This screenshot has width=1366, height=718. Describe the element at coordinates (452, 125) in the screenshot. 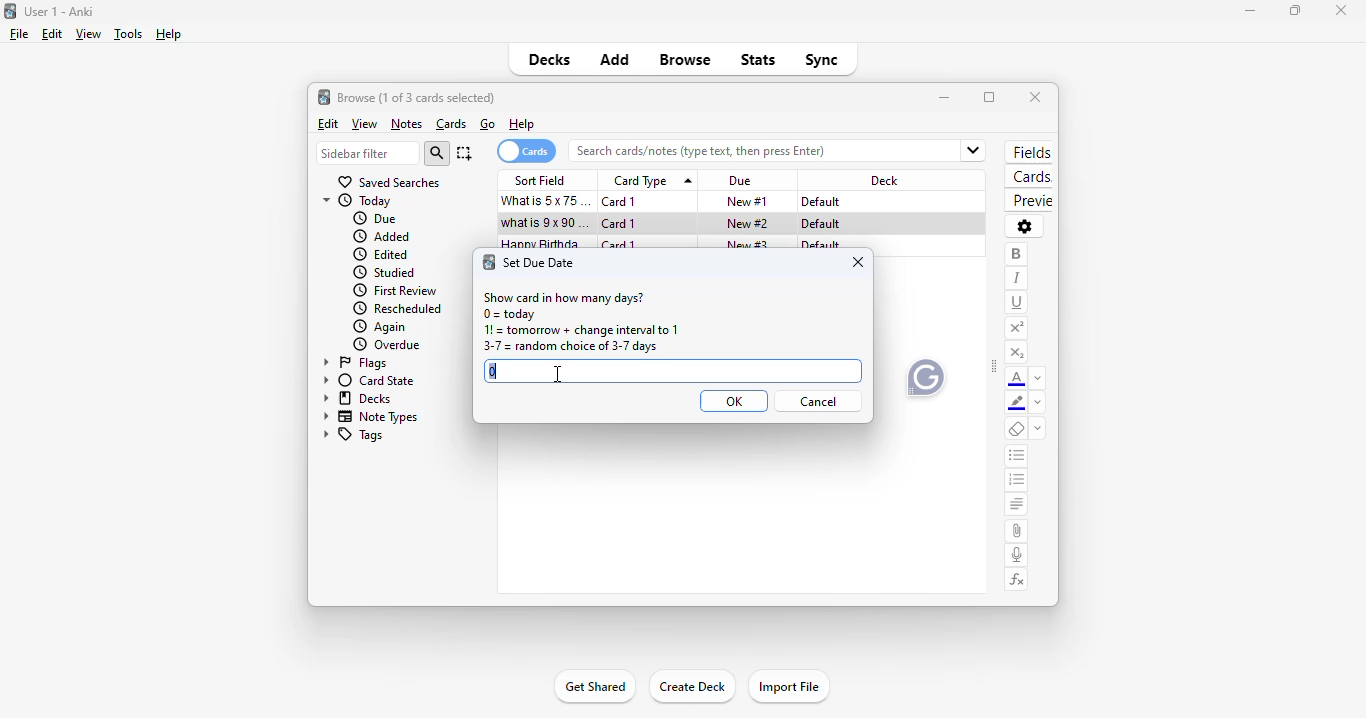

I see `cards` at that location.